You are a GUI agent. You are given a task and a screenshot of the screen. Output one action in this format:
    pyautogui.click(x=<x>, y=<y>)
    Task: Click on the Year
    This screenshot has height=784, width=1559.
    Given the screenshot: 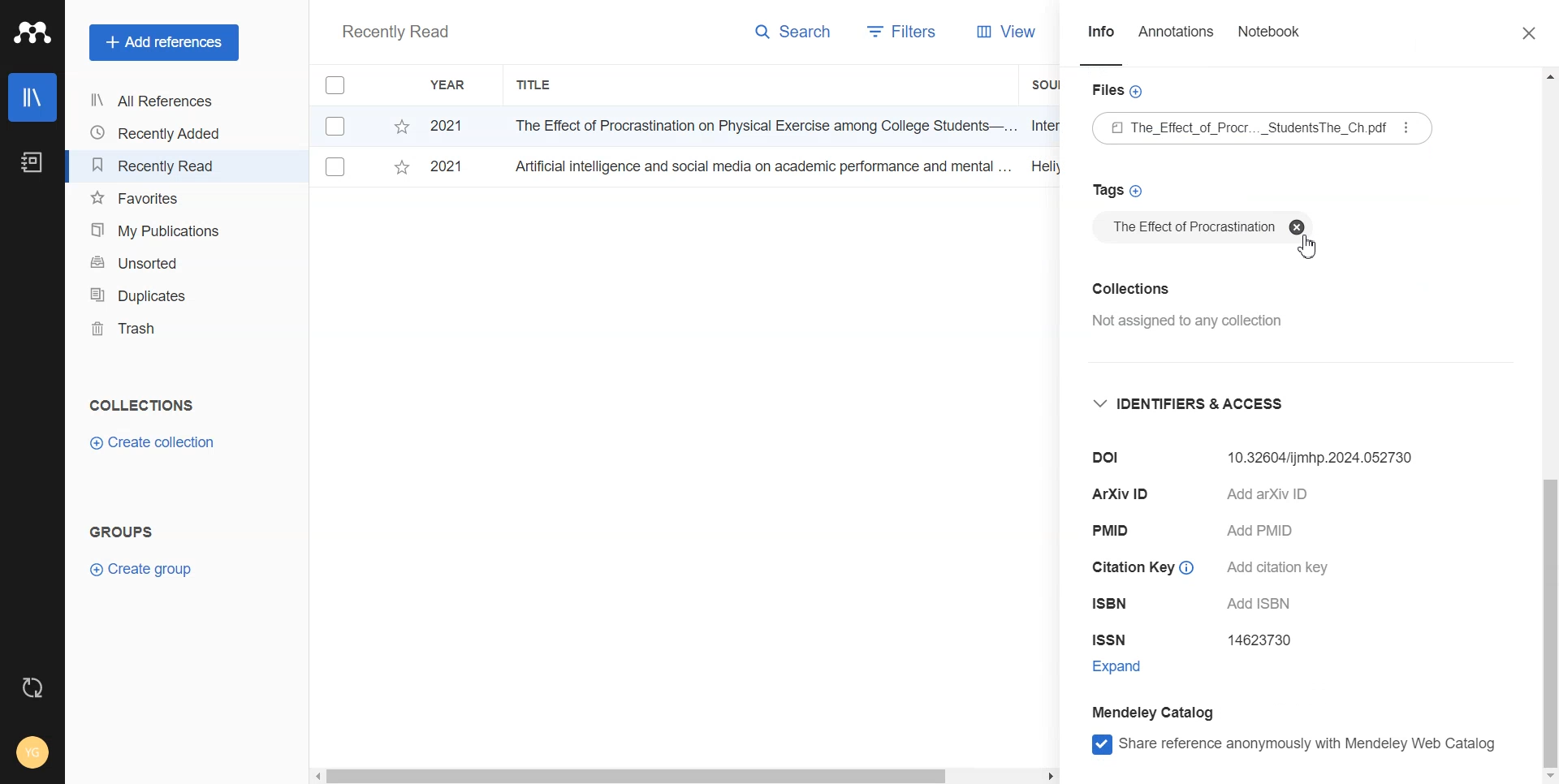 What is the action you would take?
    pyautogui.click(x=451, y=85)
    